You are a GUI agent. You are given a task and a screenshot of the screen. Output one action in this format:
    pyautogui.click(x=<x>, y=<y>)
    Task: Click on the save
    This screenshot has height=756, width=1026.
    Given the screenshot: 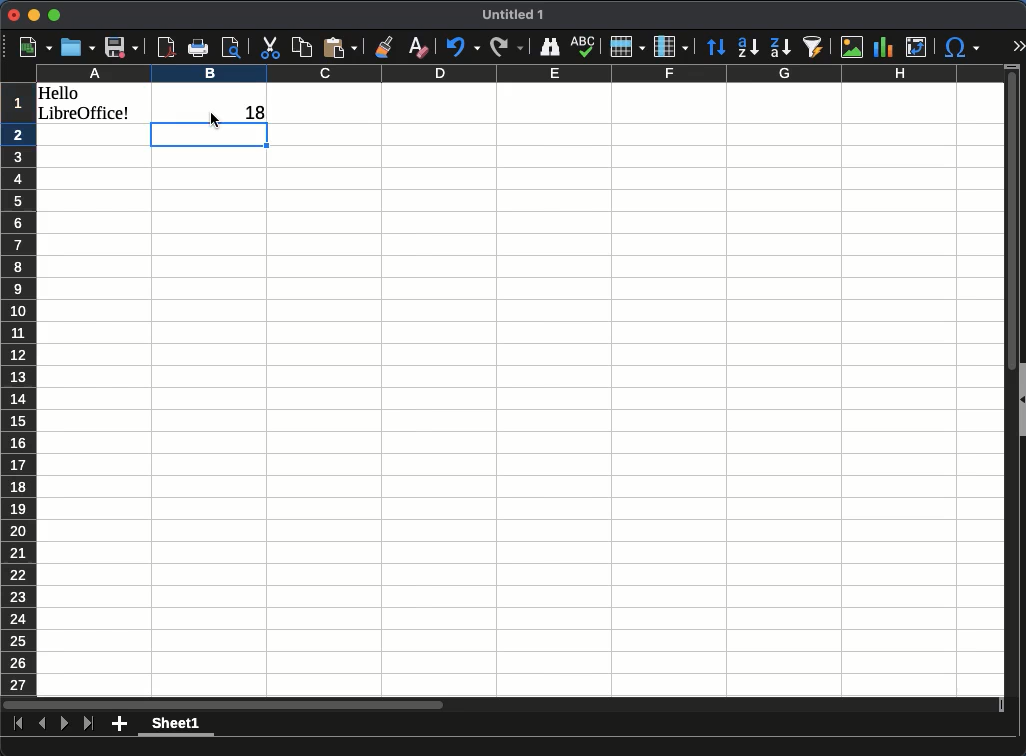 What is the action you would take?
    pyautogui.click(x=124, y=46)
    